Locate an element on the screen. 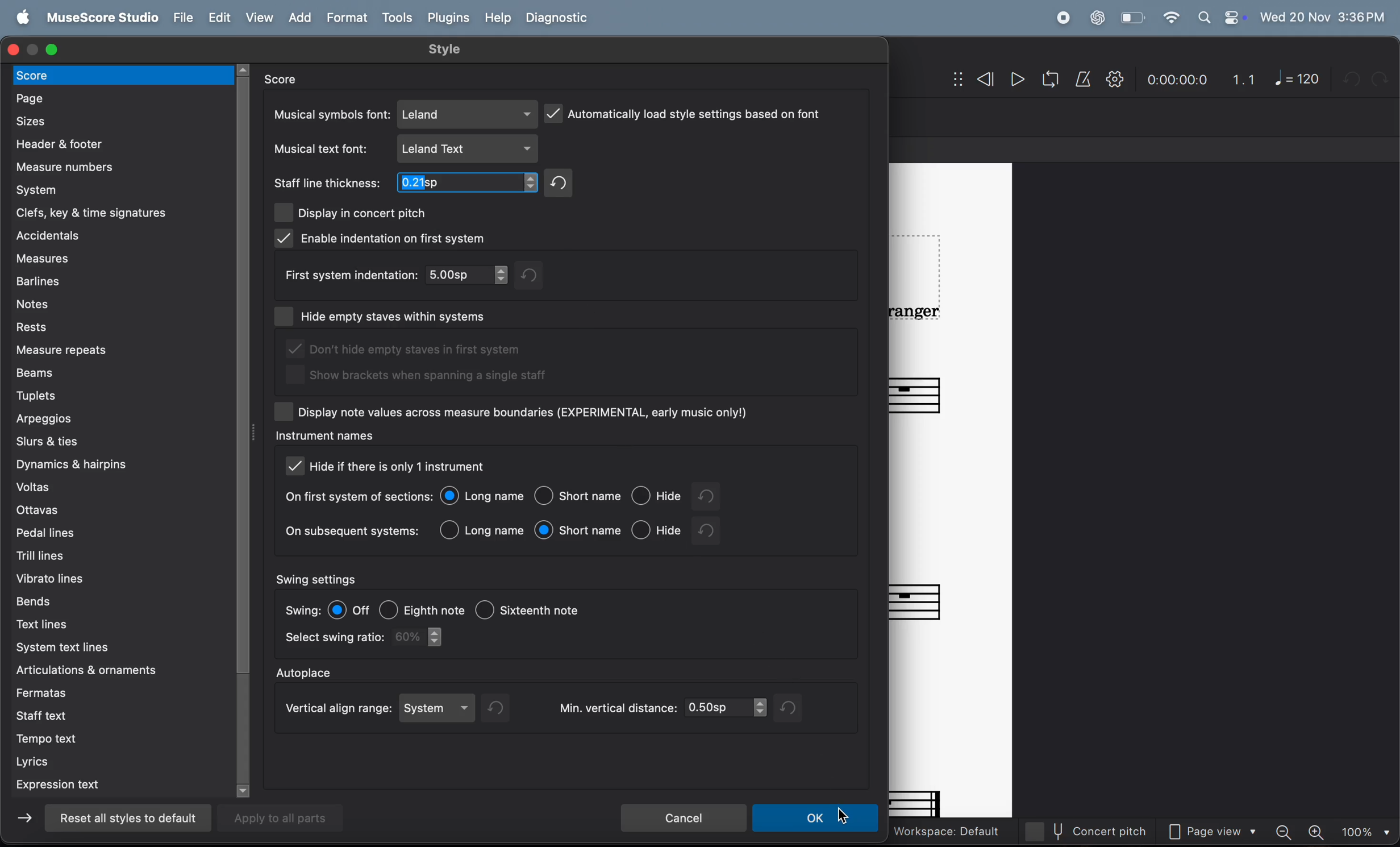 This screenshot has width=1400, height=847. vertical align rage is located at coordinates (335, 709).